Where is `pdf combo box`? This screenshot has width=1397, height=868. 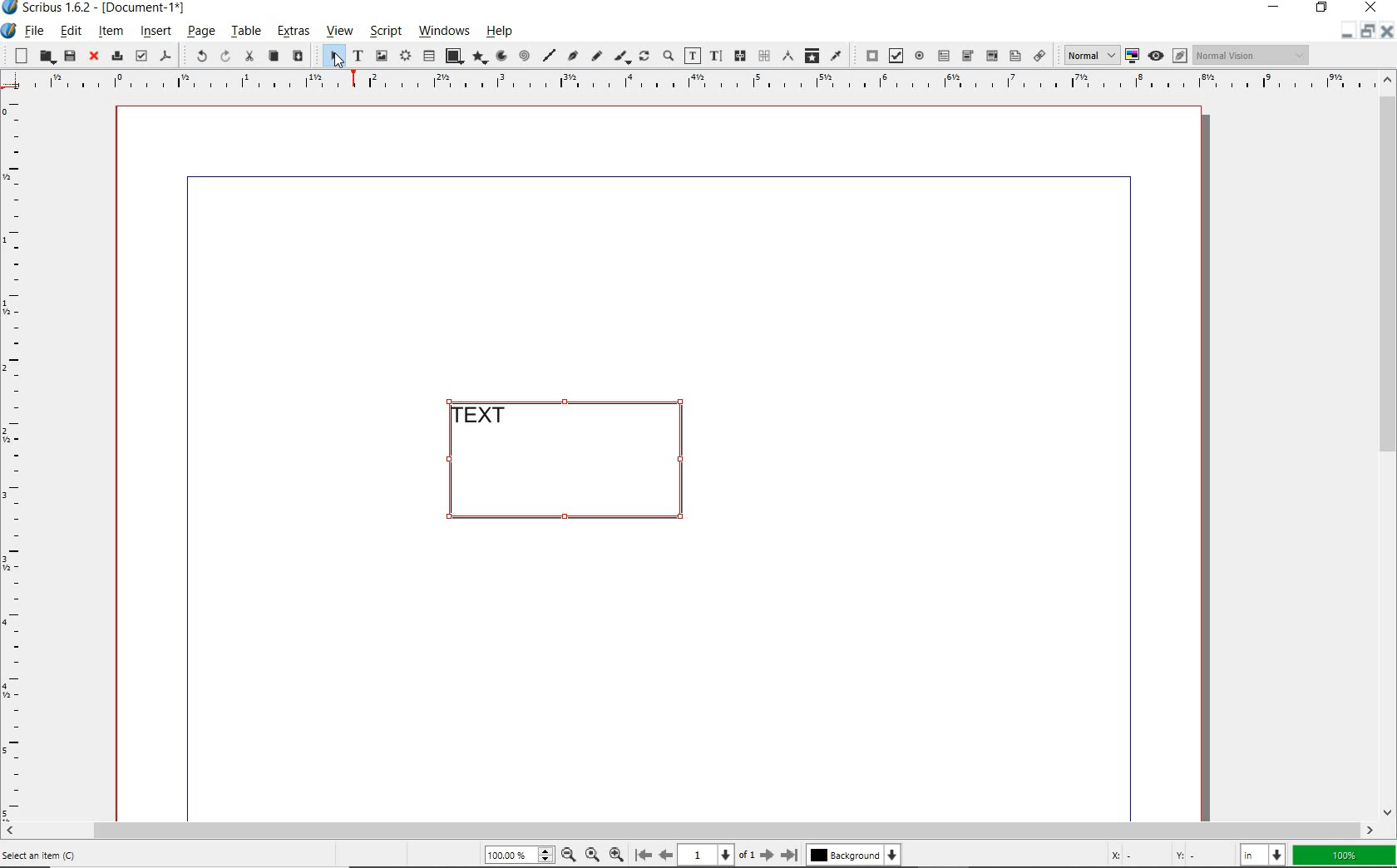
pdf combo box is located at coordinates (990, 56).